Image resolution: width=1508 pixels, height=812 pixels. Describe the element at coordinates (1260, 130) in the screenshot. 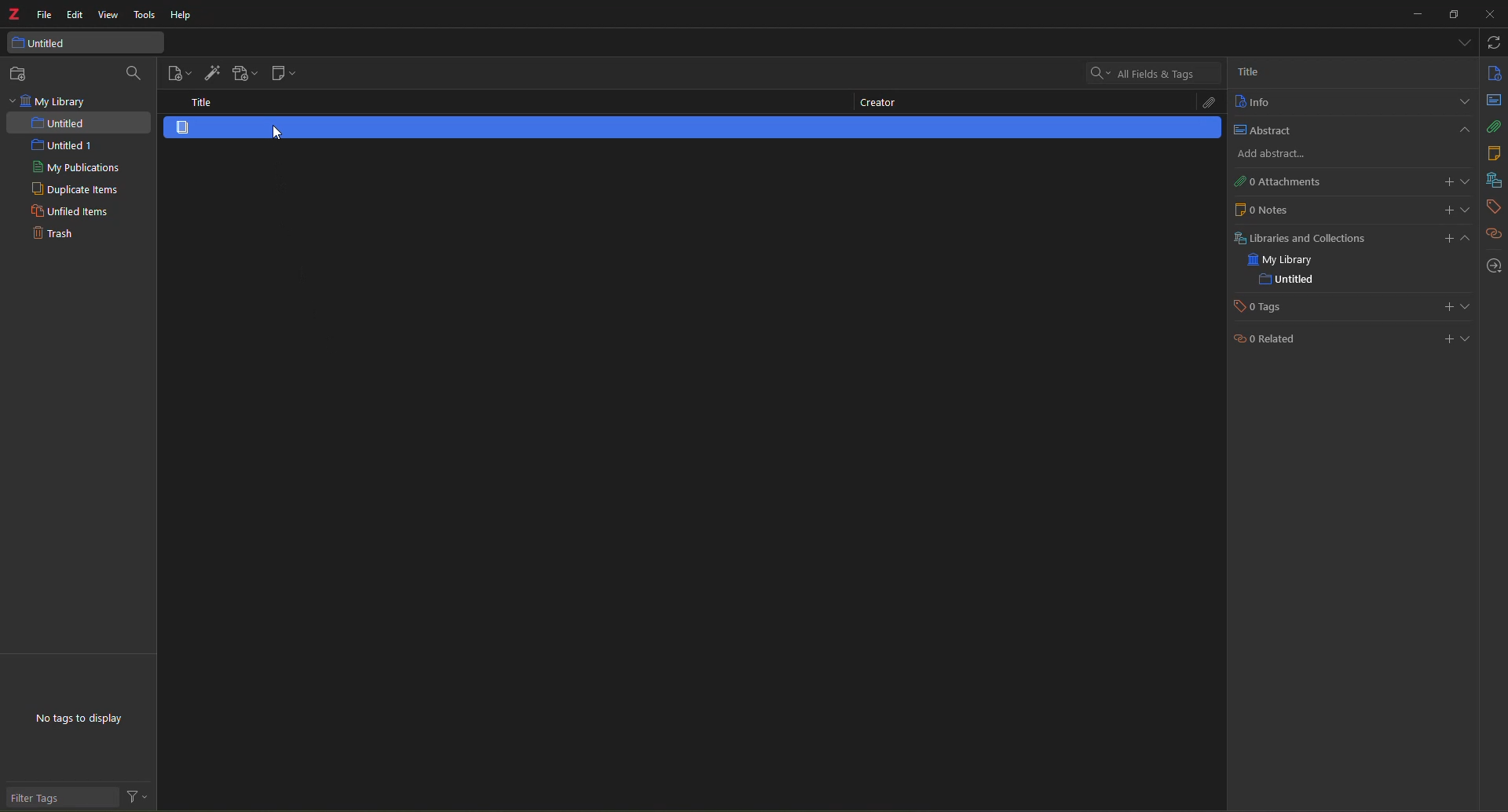

I see `abstract` at that location.